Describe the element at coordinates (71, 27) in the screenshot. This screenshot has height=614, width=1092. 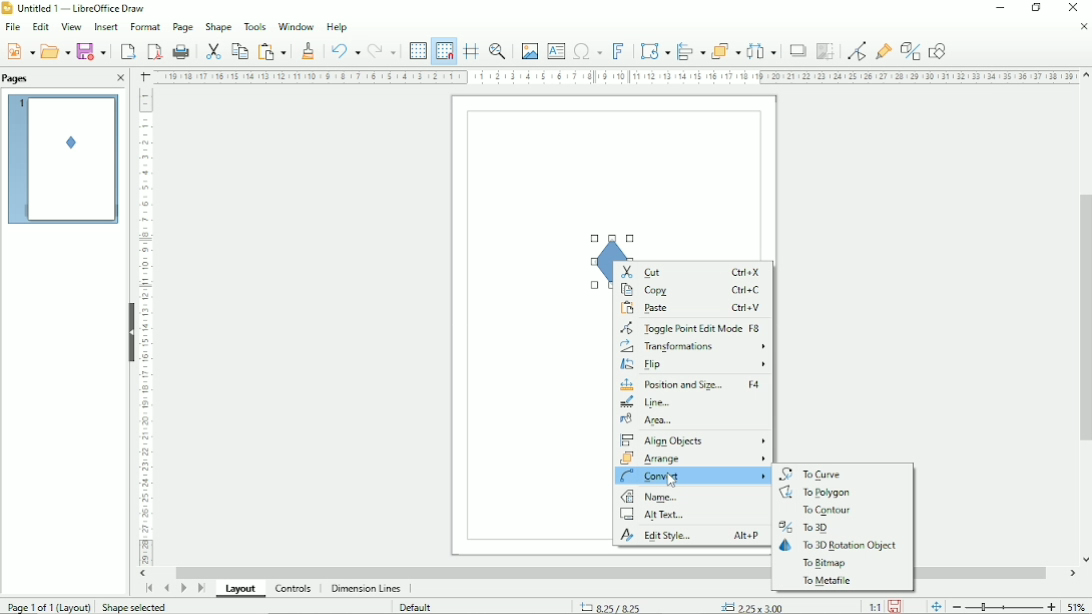
I see `View` at that location.